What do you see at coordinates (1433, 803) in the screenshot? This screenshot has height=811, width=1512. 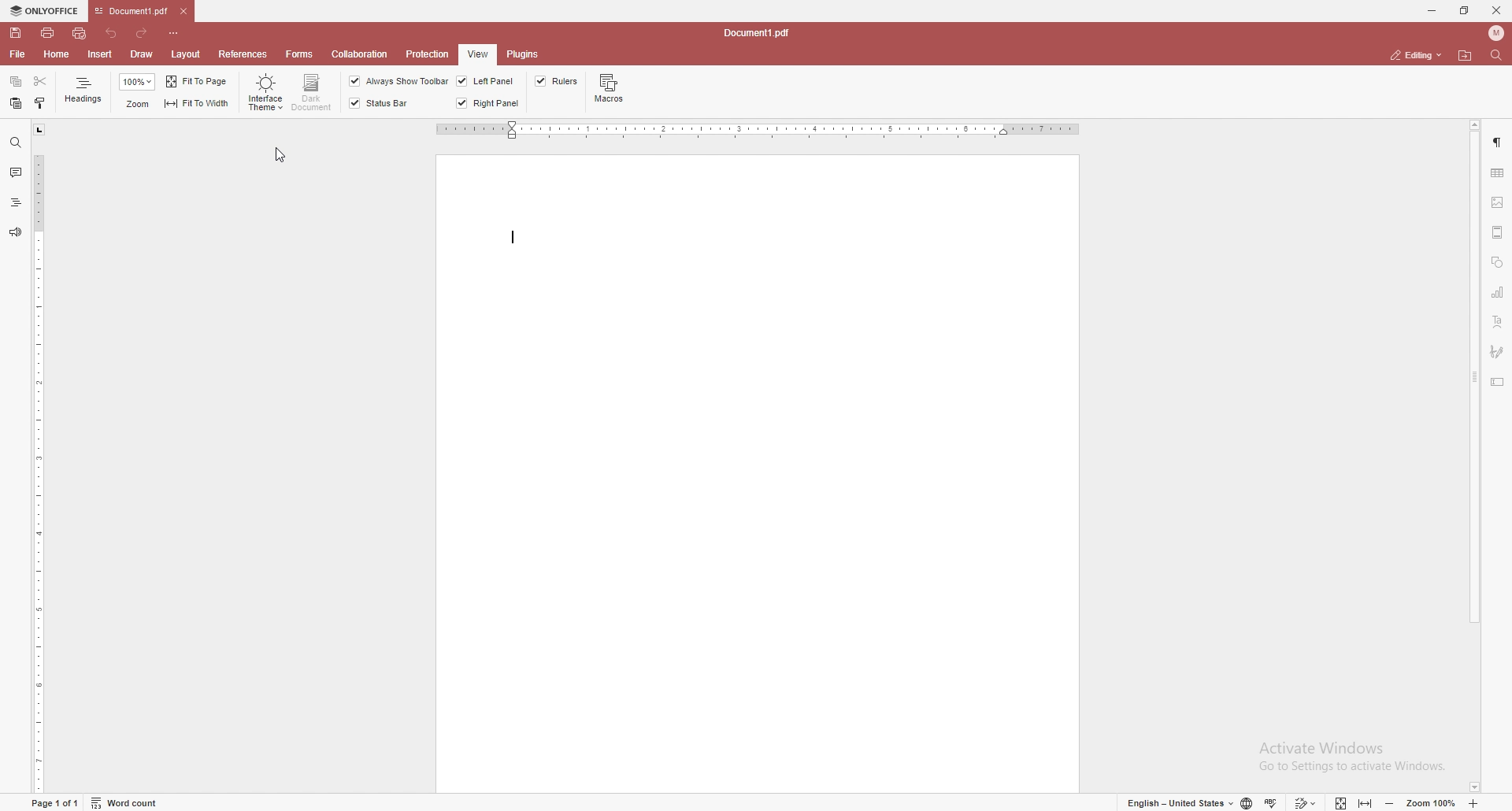 I see `zoom` at bounding box center [1433, 803].